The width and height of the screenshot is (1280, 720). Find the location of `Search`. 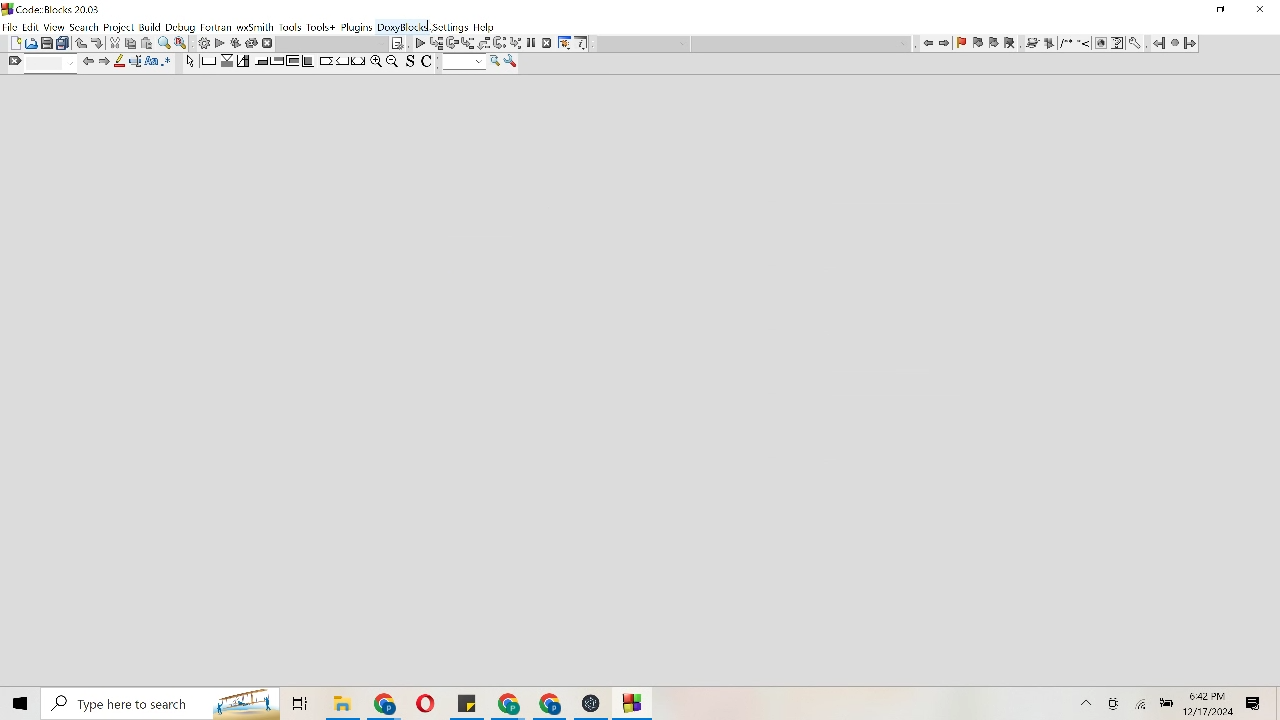

Search is located at coordinates (472, 63).